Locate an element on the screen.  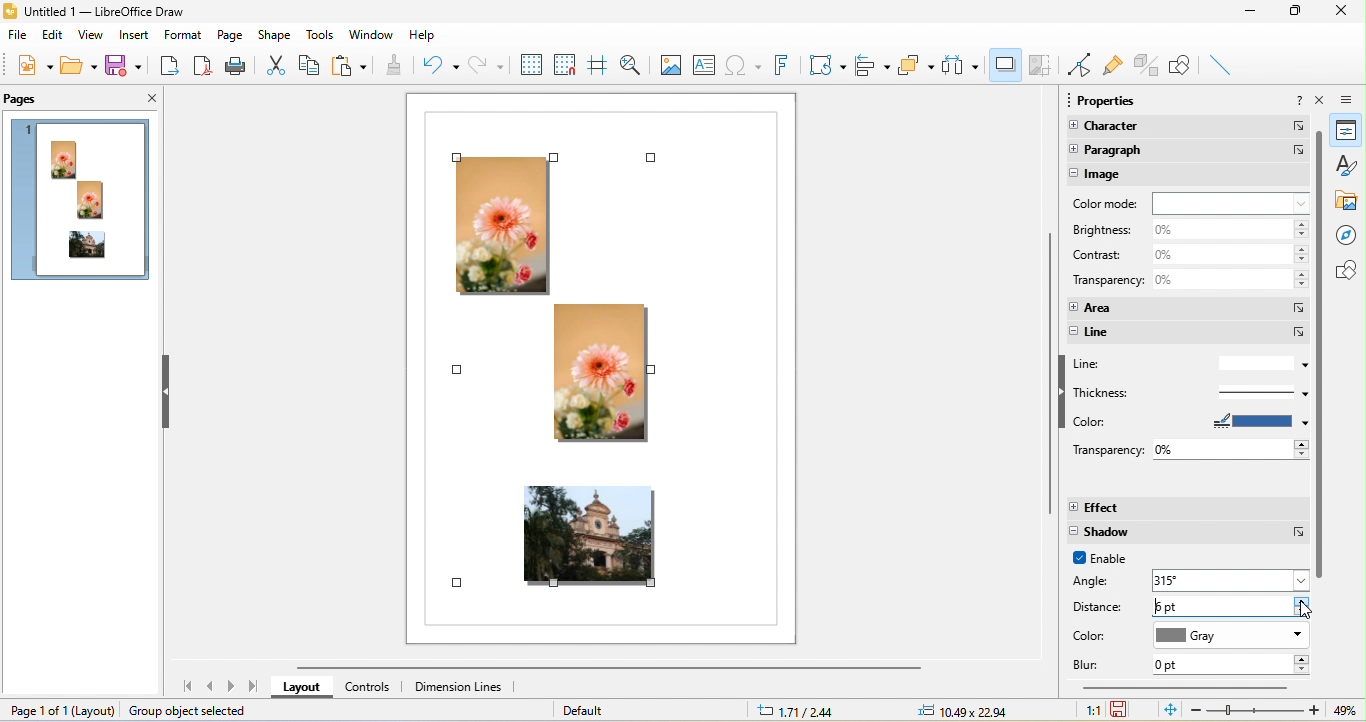
shadow is located at coordinates (1004, 65).